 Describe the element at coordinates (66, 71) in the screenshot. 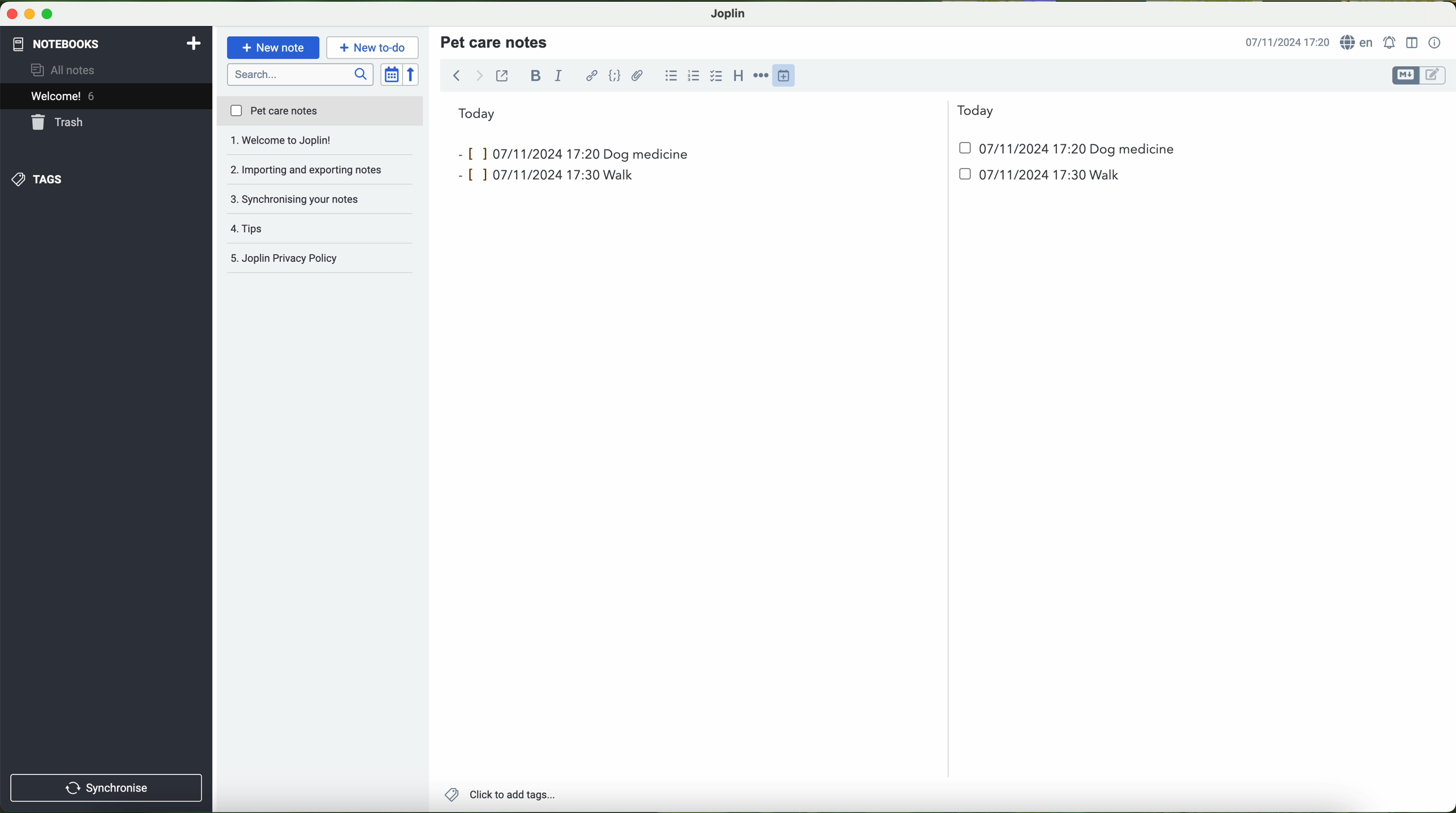

I see `all notes` at that location.